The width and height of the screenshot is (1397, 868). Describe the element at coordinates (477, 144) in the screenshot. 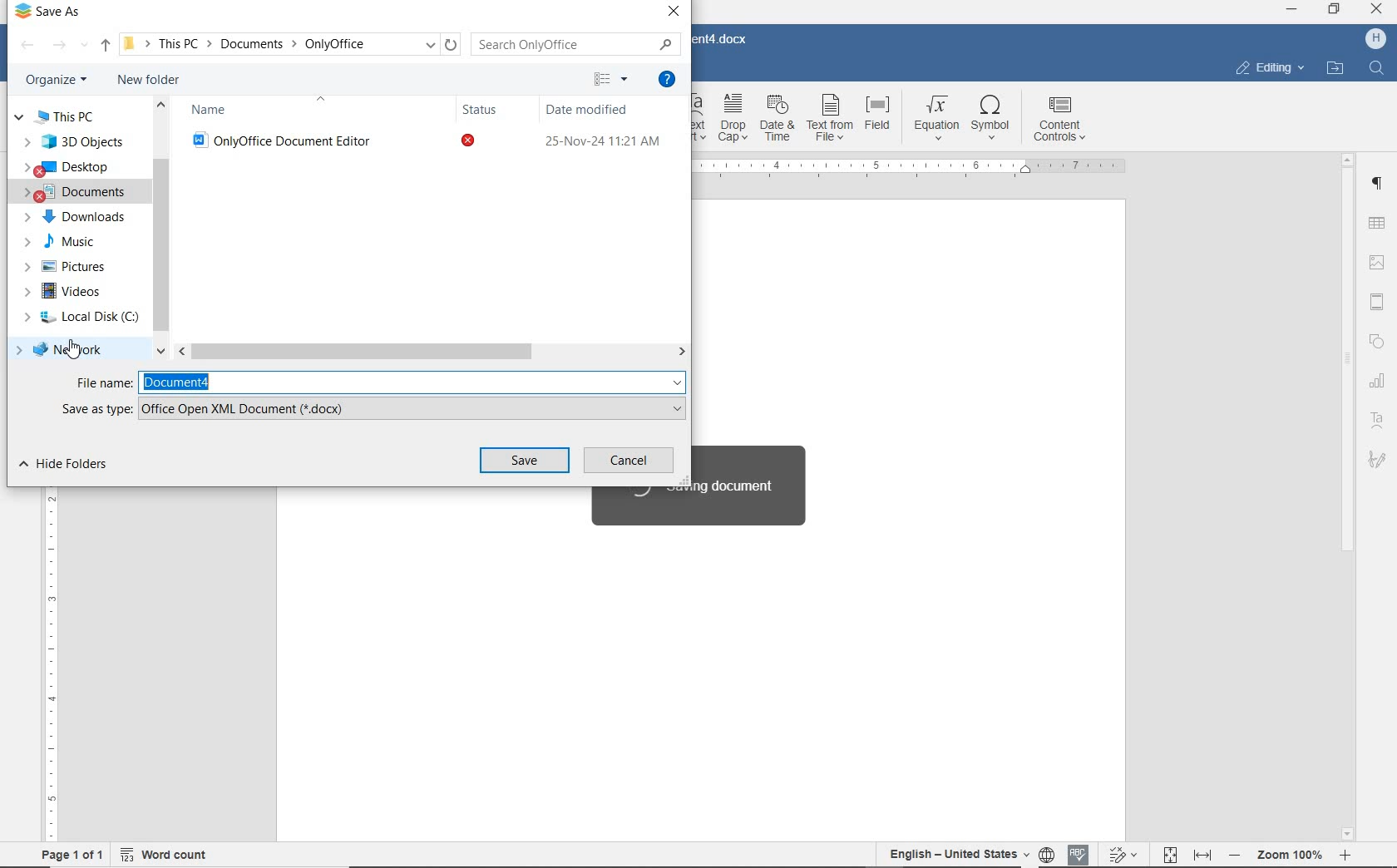

I see `status` at that location.